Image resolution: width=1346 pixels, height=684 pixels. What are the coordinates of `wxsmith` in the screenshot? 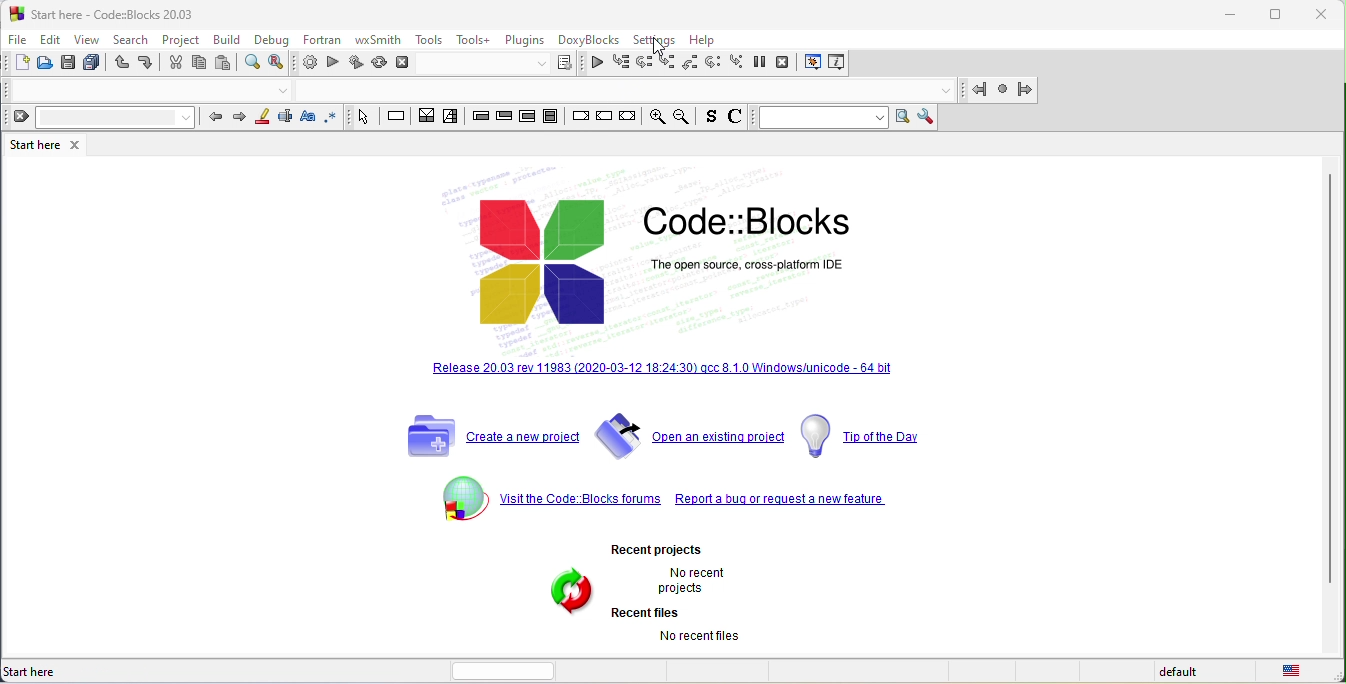 It's located at (379, 39).